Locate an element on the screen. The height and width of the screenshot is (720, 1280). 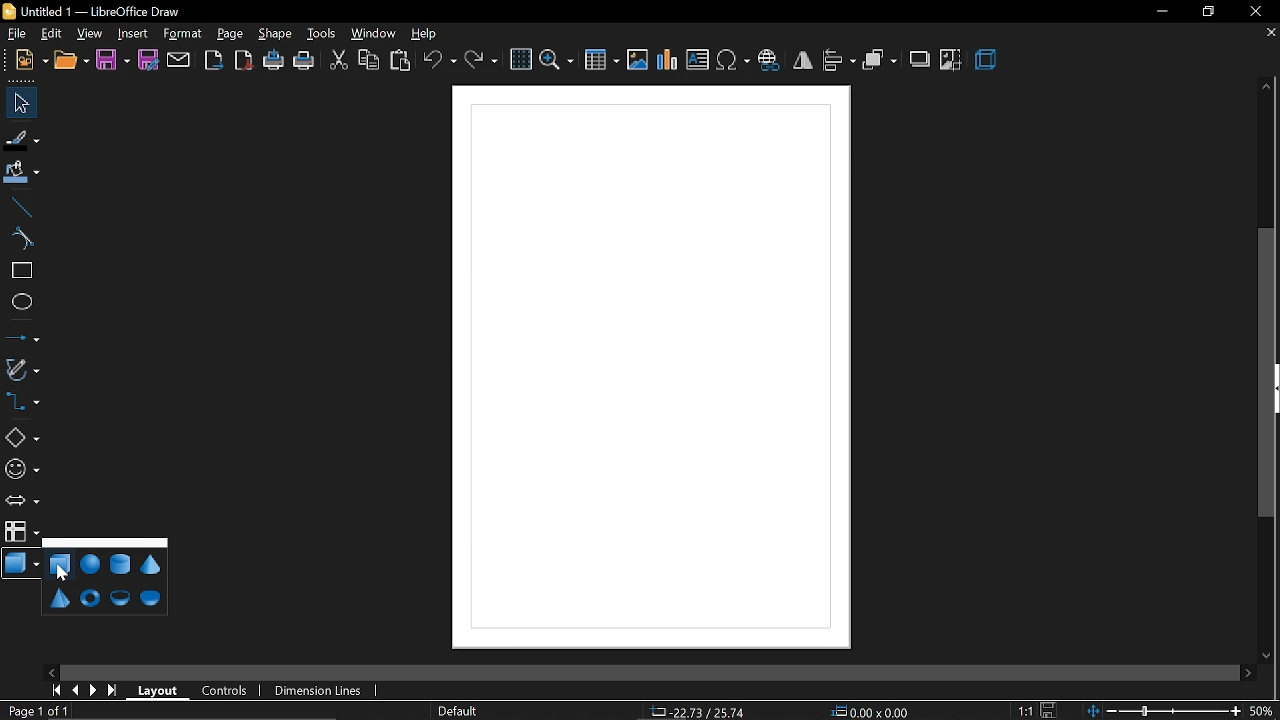
save is located at coordinates (1050, 710).